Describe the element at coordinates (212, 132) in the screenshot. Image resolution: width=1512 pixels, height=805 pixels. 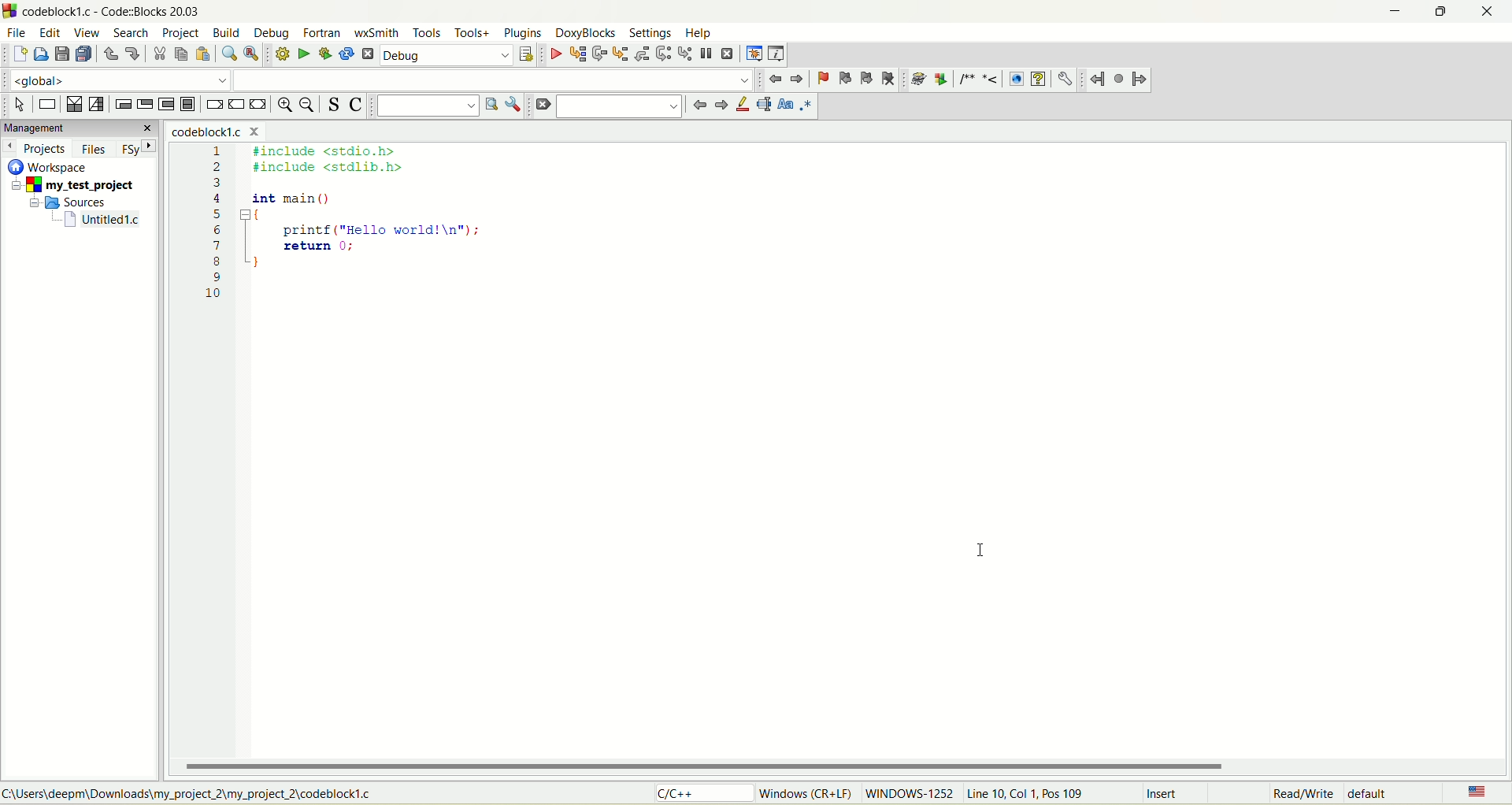
I see `title` at that location.